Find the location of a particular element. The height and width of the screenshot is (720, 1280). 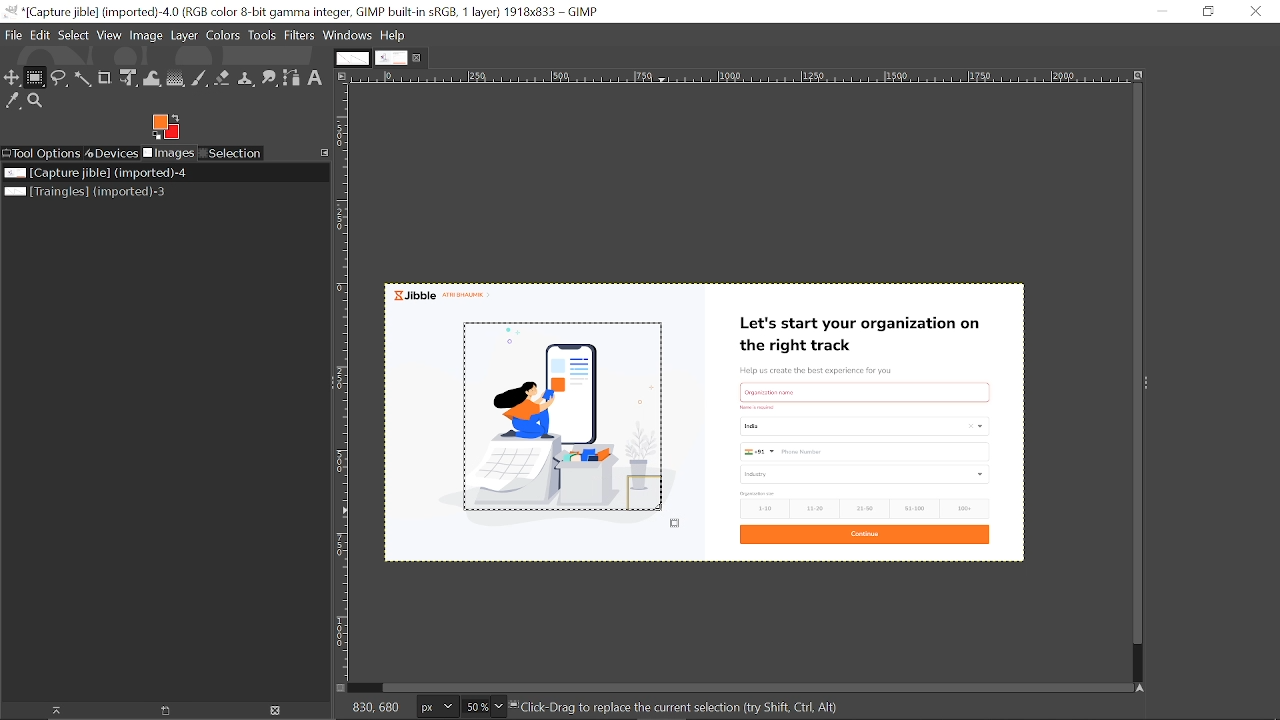

Add text is located at coordinates (315, 77).